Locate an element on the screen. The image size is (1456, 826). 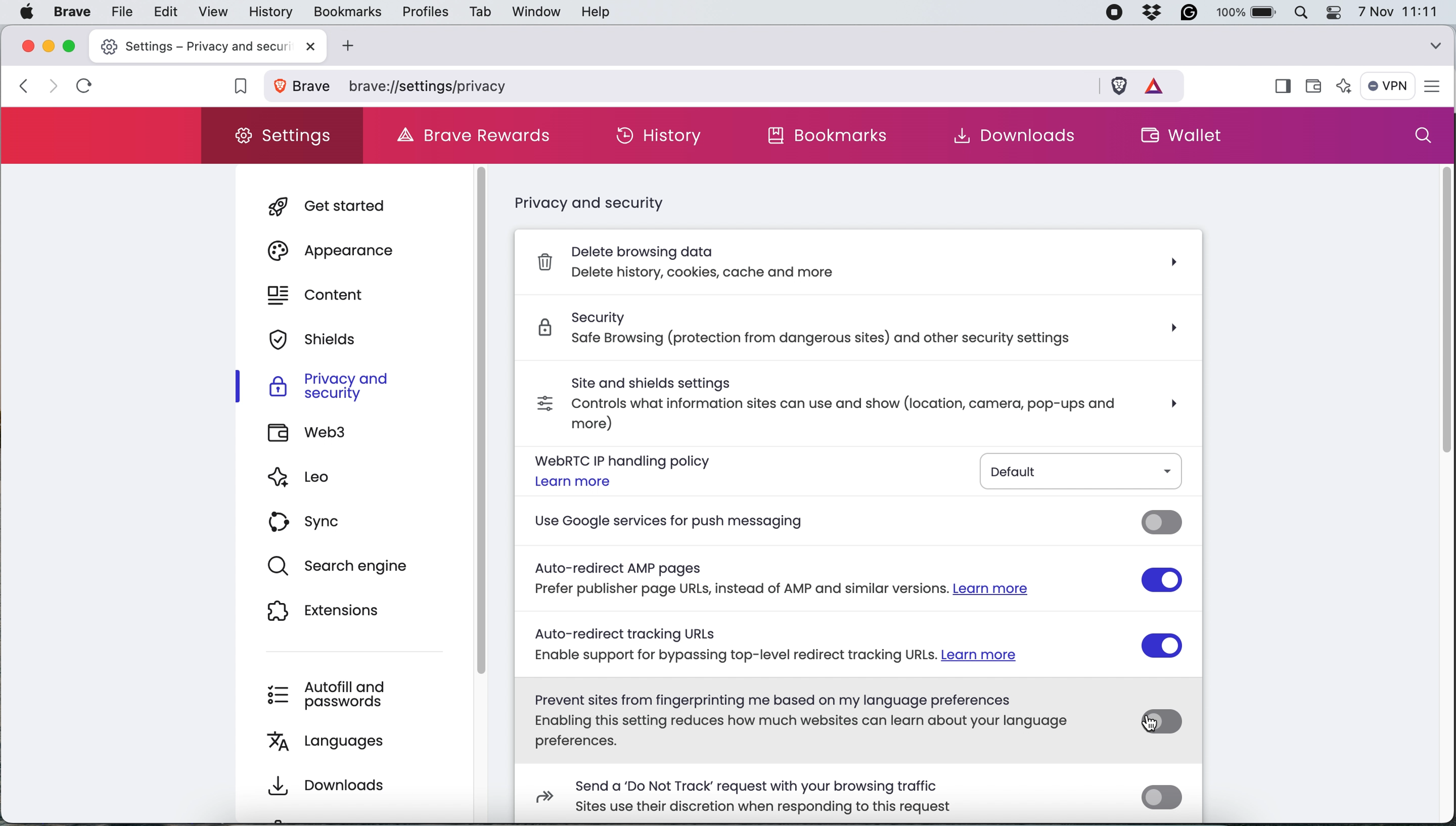
use google services for push messaging is located at coordinates (824, 522).